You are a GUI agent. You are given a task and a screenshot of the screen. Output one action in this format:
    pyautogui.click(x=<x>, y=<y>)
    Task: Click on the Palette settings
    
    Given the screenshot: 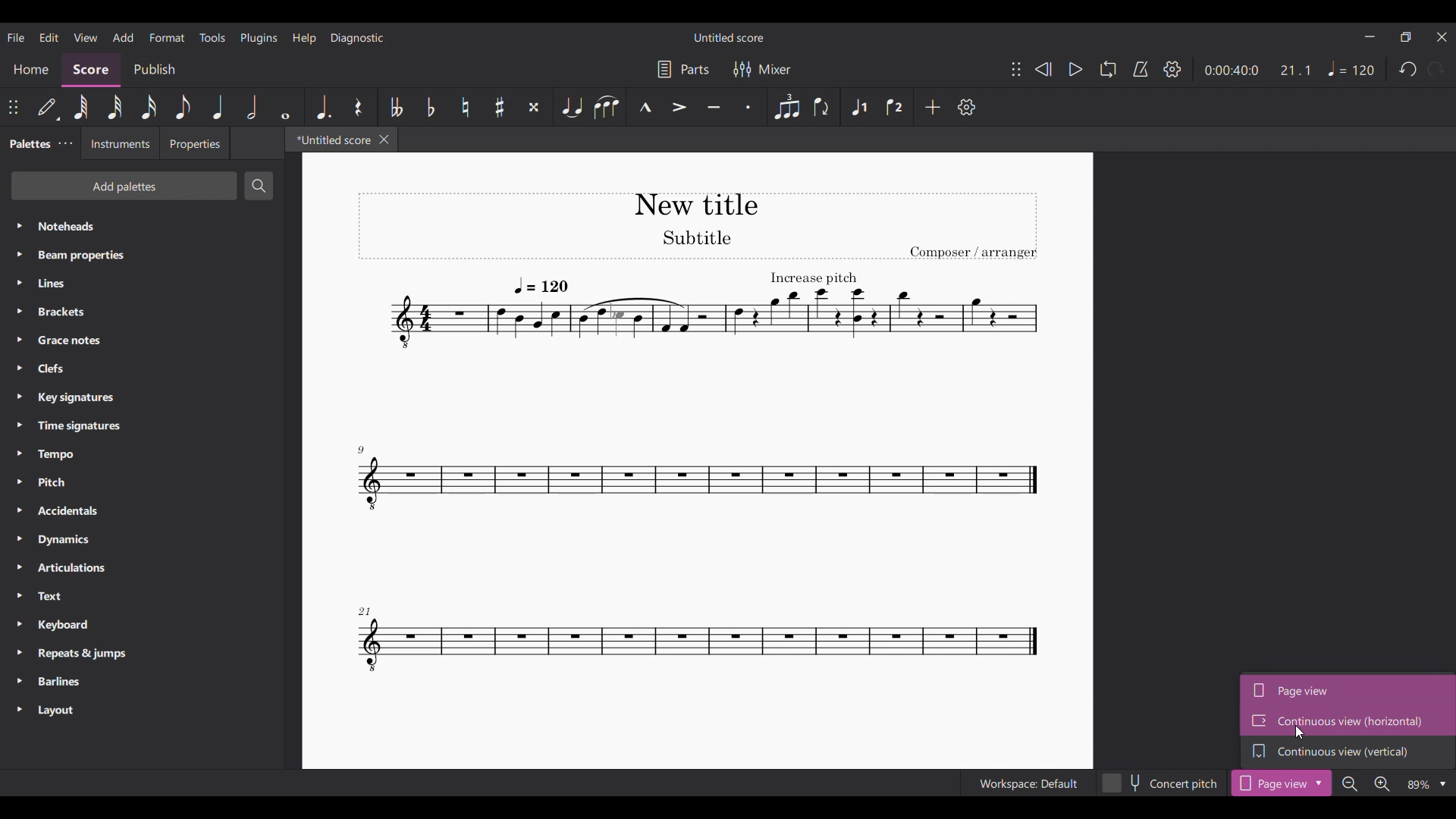 What is the action you would take?
    pyautogui.click(x=65, y=143)
    